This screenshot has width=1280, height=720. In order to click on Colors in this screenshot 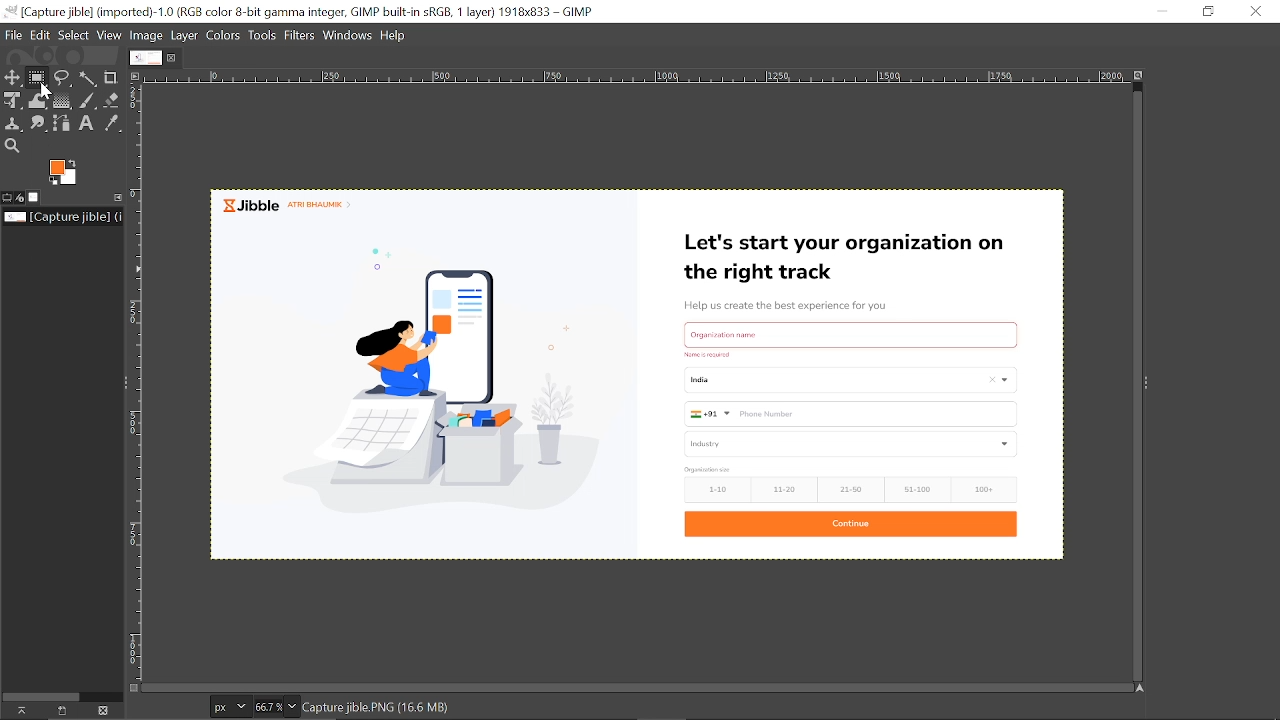, I will do `click(224, 34)`.